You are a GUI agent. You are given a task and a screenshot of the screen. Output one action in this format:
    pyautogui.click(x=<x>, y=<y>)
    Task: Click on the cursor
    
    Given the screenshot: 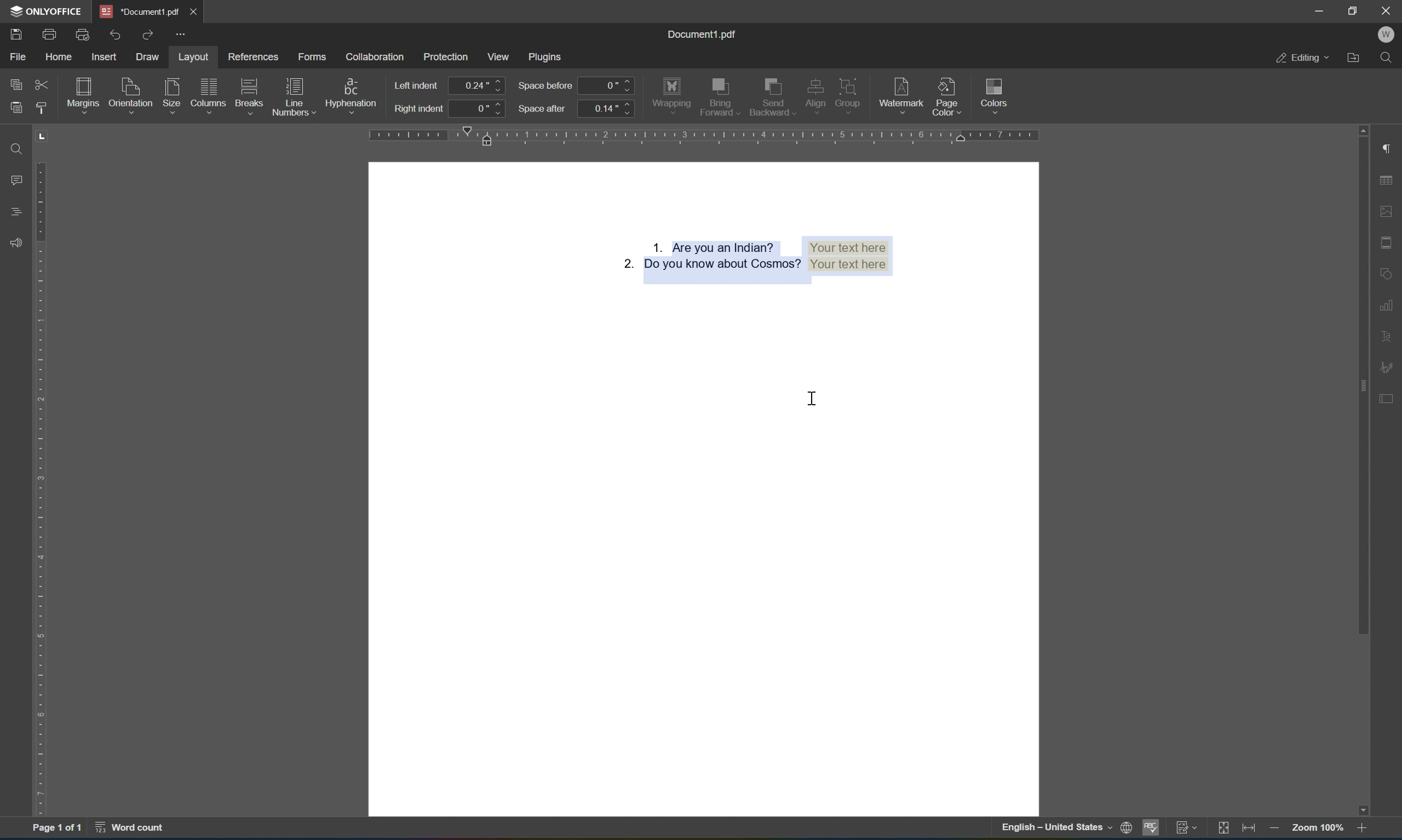 What is the action you would take?
    pyautogui.click(x=818, y=396)
    